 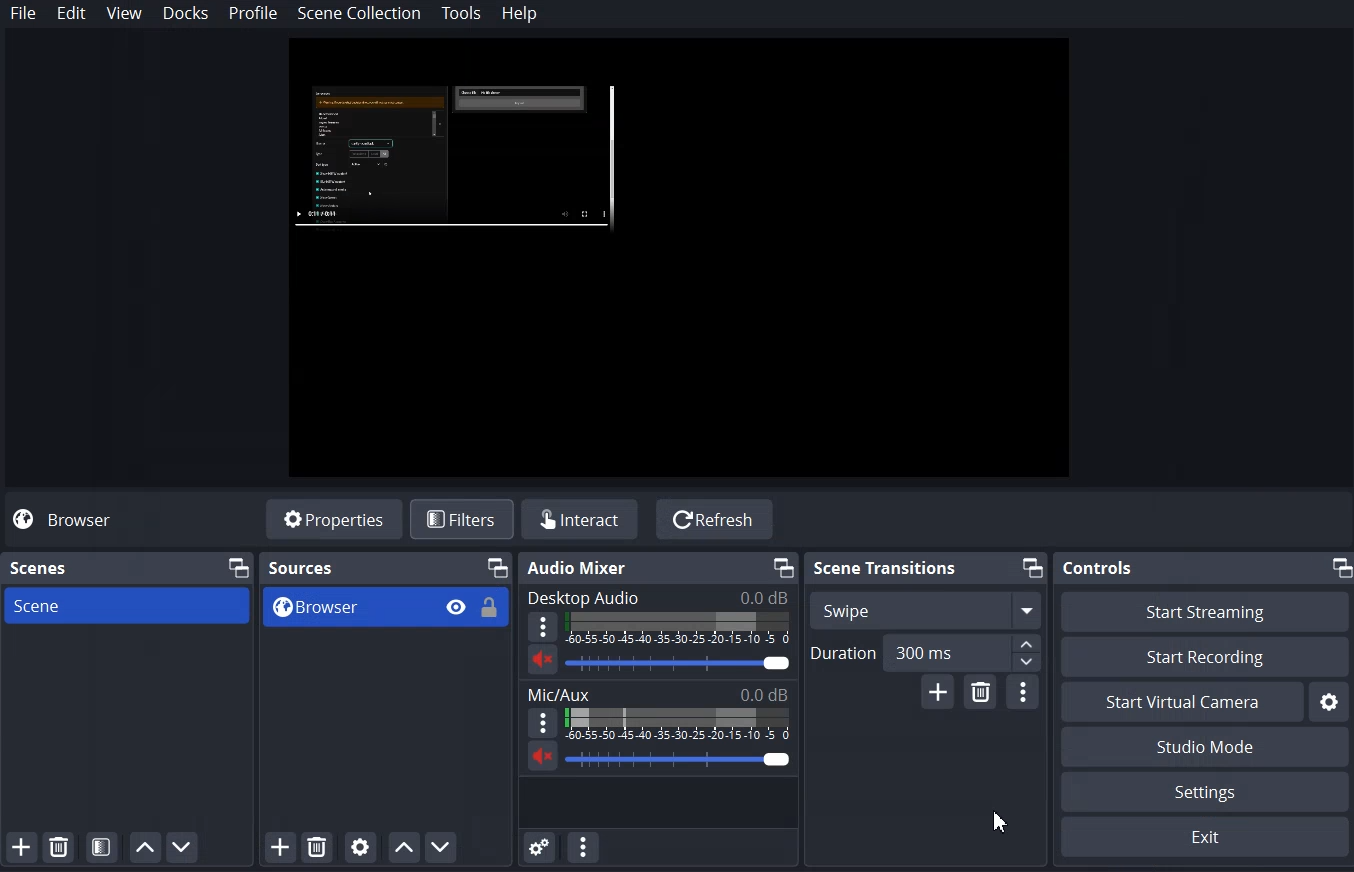 I want to click on View, so click(x=124, y=13).